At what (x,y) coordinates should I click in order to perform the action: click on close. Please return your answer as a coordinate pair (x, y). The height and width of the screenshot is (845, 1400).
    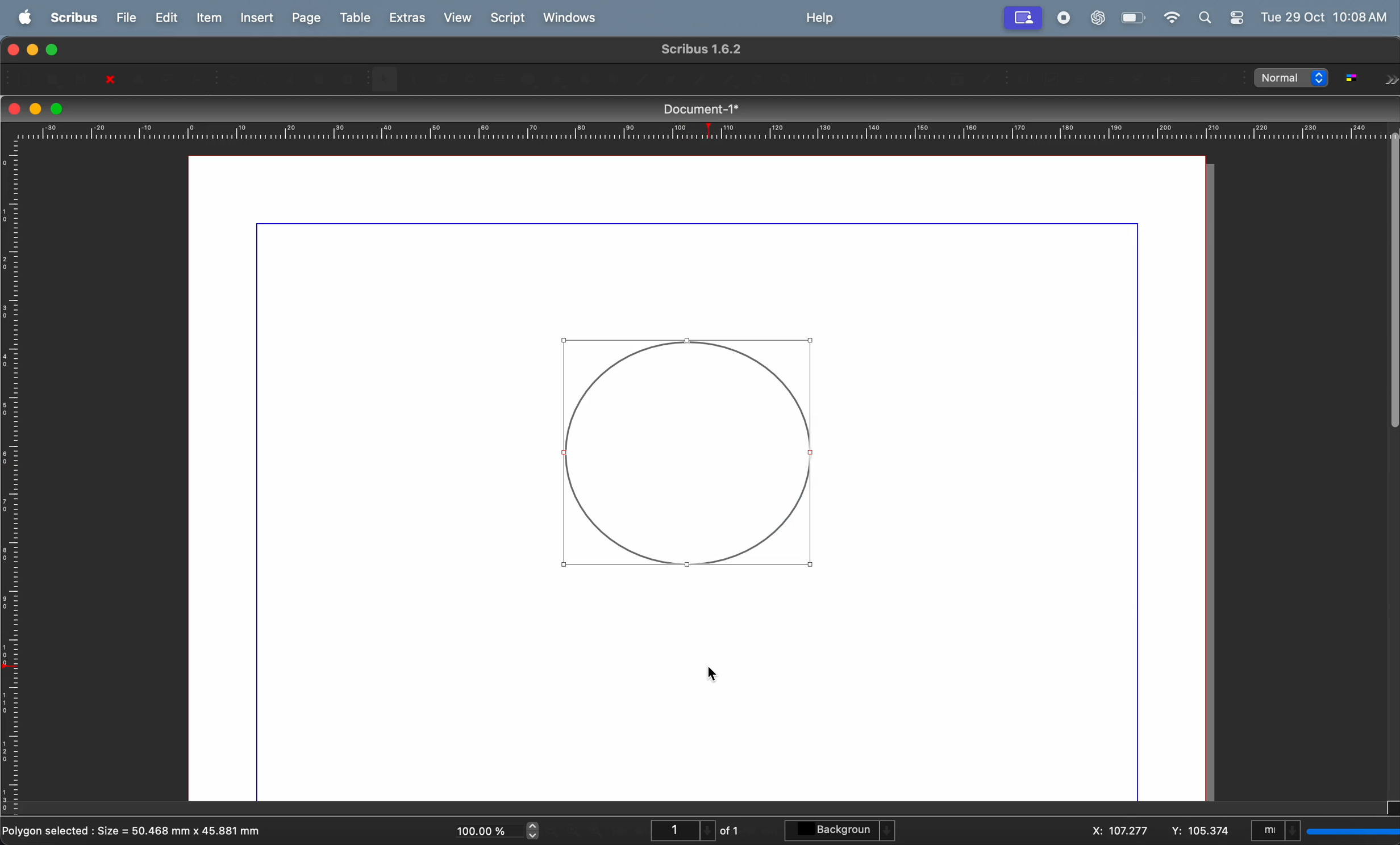
    Looking at the image, I should click on (105, 80).